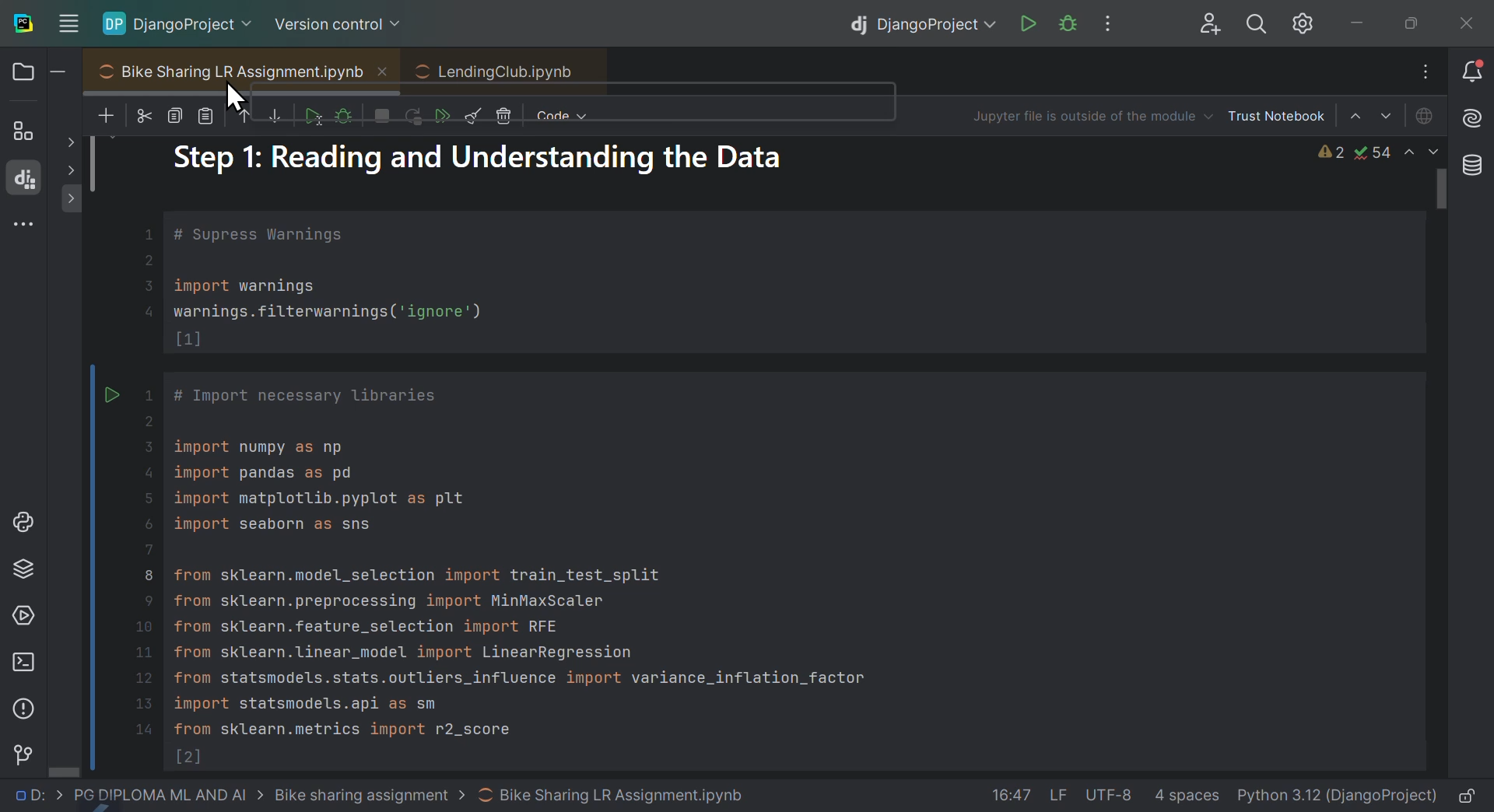 Image resolution: width=1494 pixels, height=812 pixels. What do you see at coordinates (245, 115) in the screenshot?
I see `move cell up` at bounding box center [245, 115].